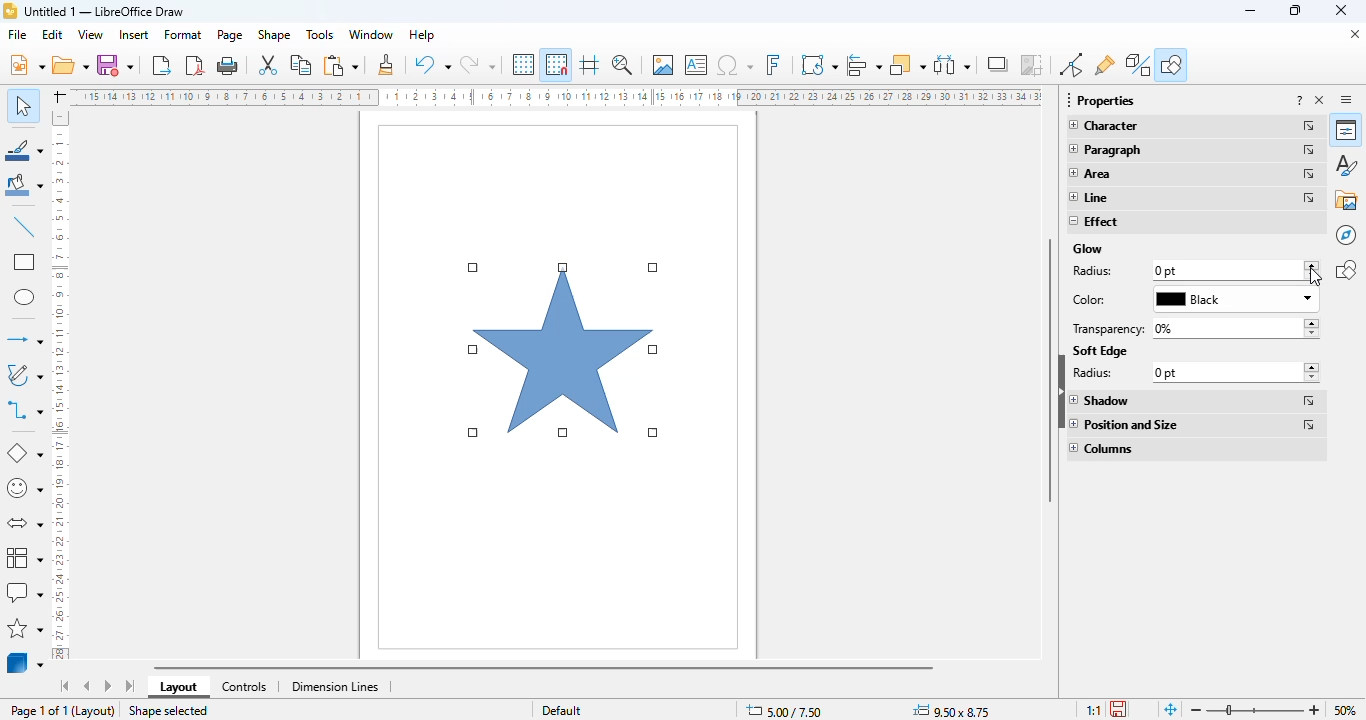 This screenshot has width=1366, height=720. Describe the element at coordinates (1346, 269) in the screenshot. I see `shapes` at that location.